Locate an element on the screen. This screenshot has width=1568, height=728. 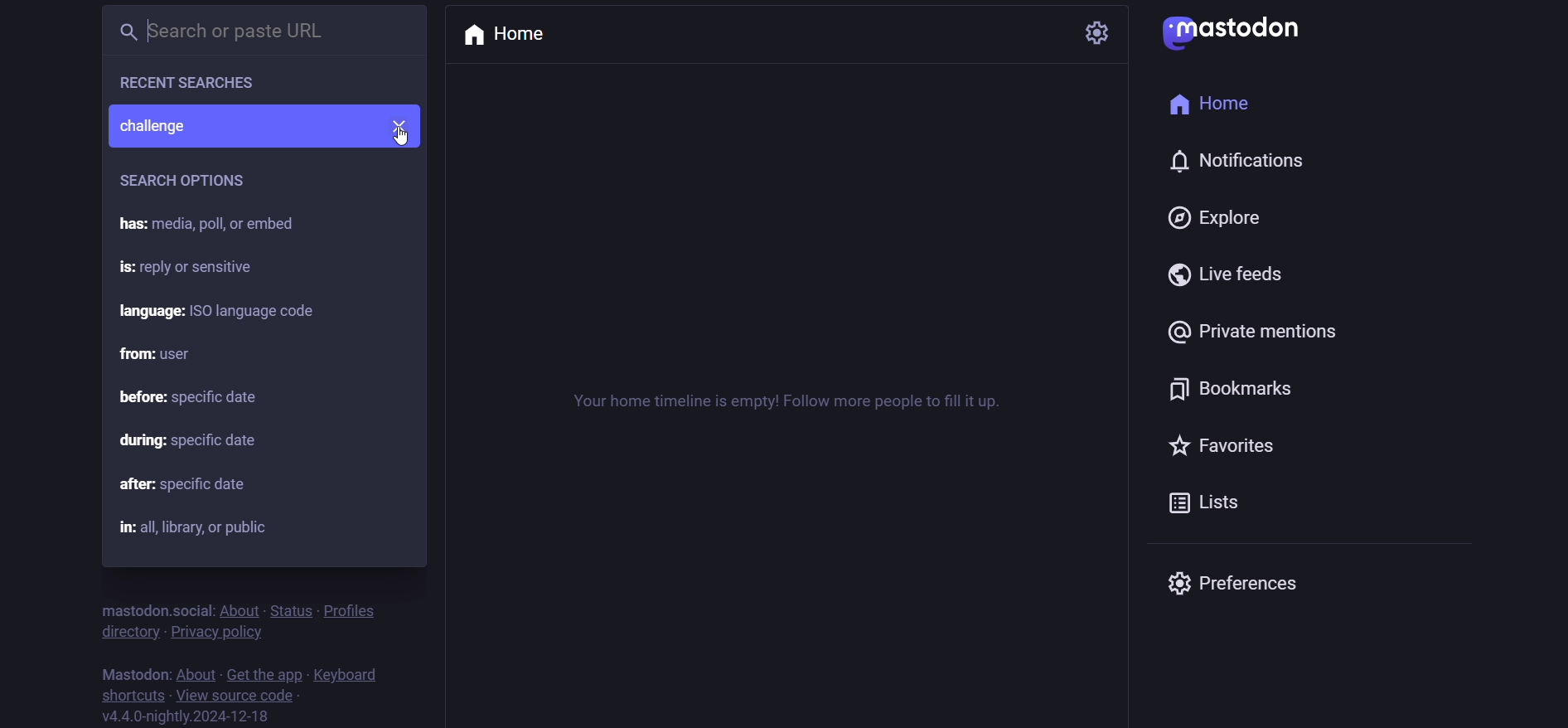
mastodon social is located at coordinates (150, 608).